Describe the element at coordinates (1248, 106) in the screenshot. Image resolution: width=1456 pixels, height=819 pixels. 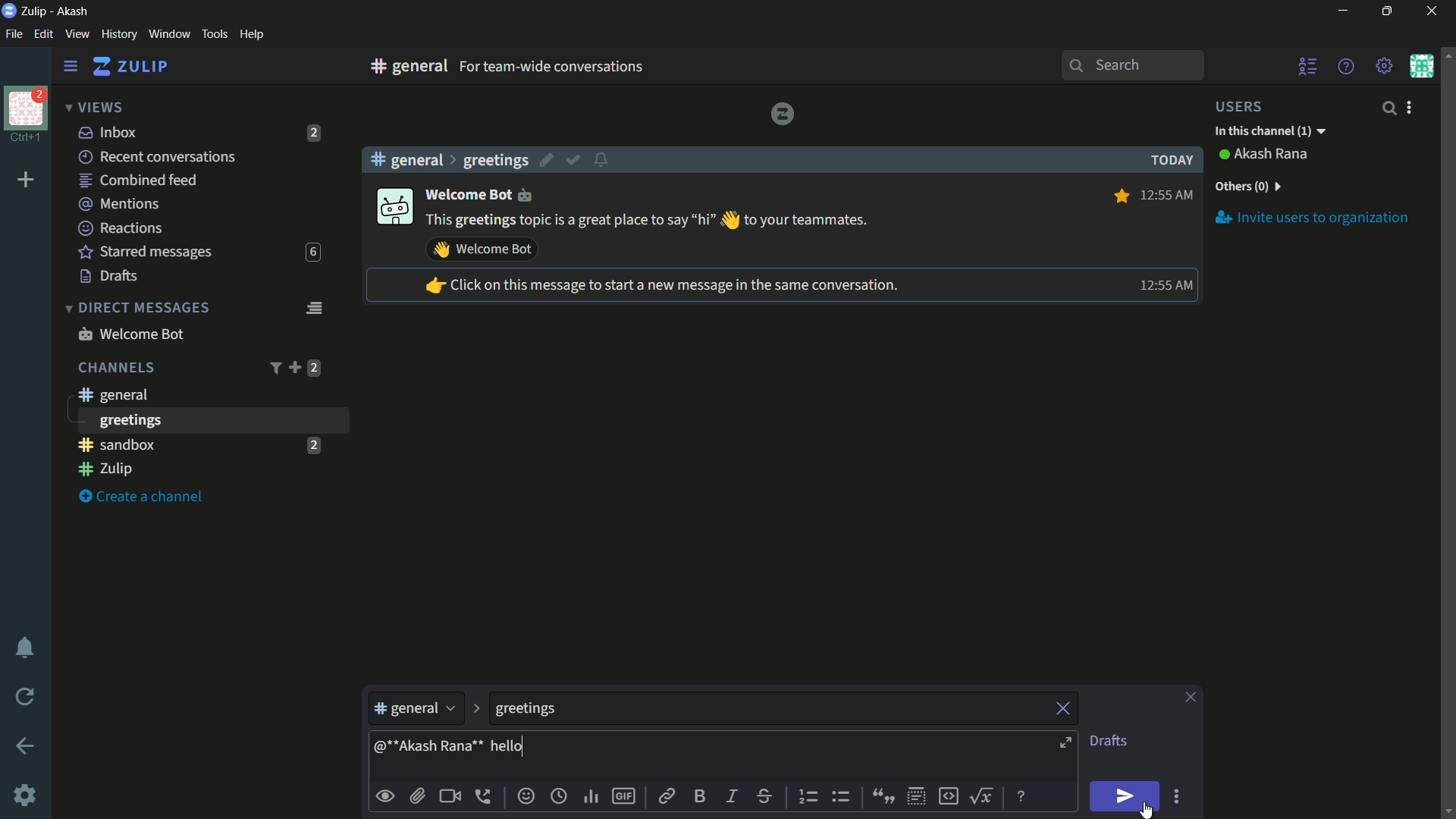
I see `users` at that location.